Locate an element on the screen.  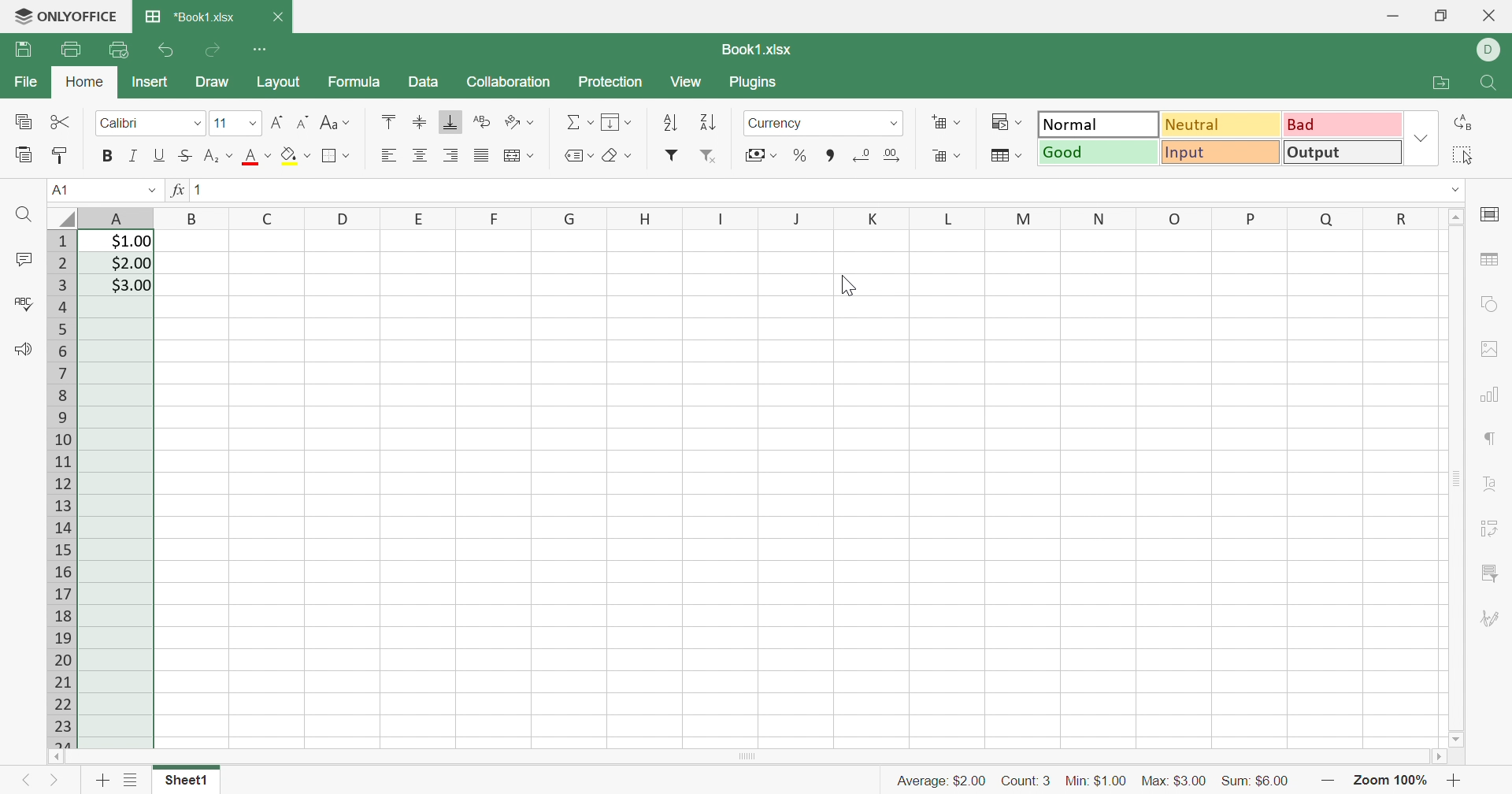
A1 is located at coordinates (57, 189).